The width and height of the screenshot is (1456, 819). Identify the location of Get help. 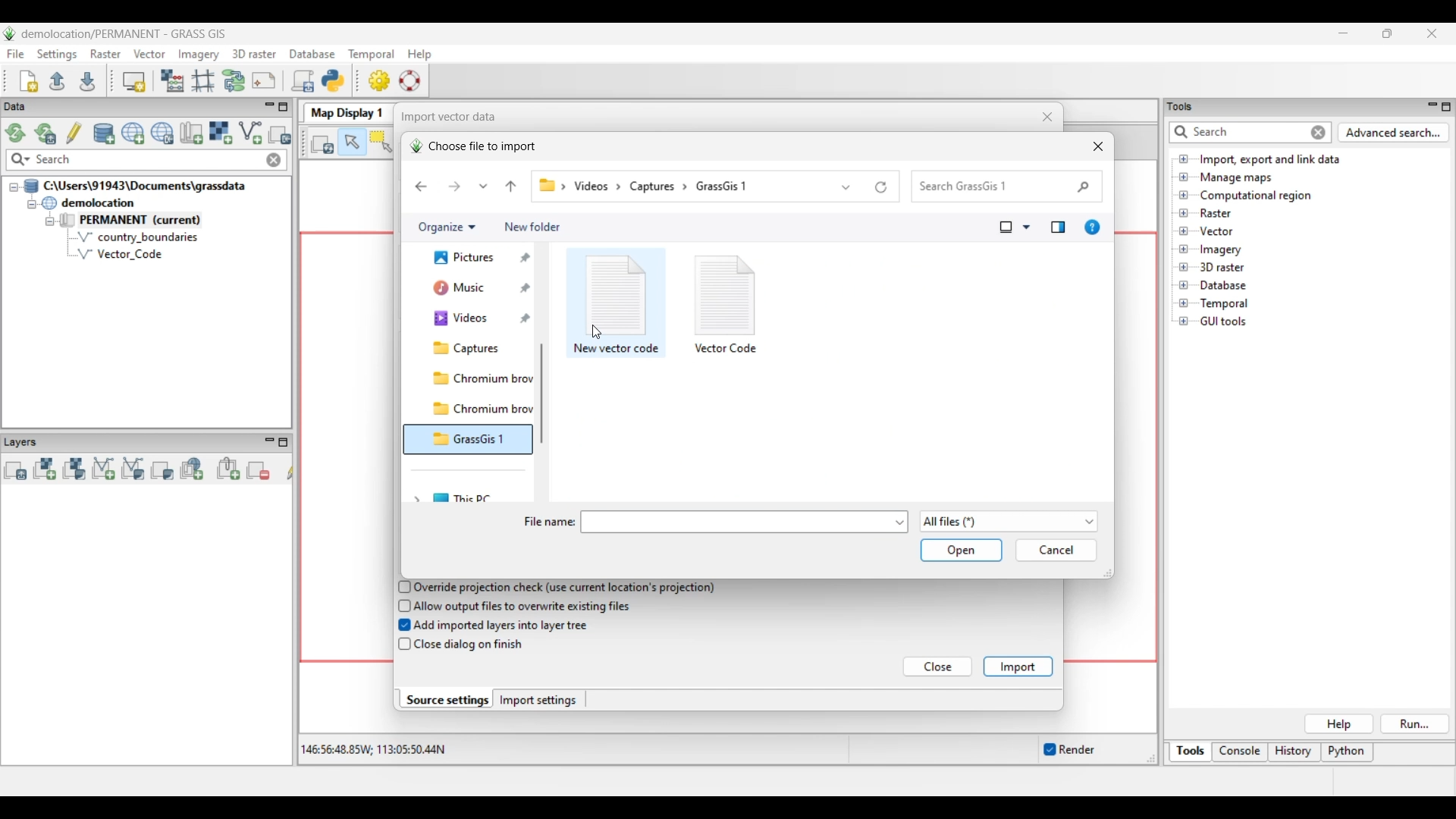
(1092, 227).